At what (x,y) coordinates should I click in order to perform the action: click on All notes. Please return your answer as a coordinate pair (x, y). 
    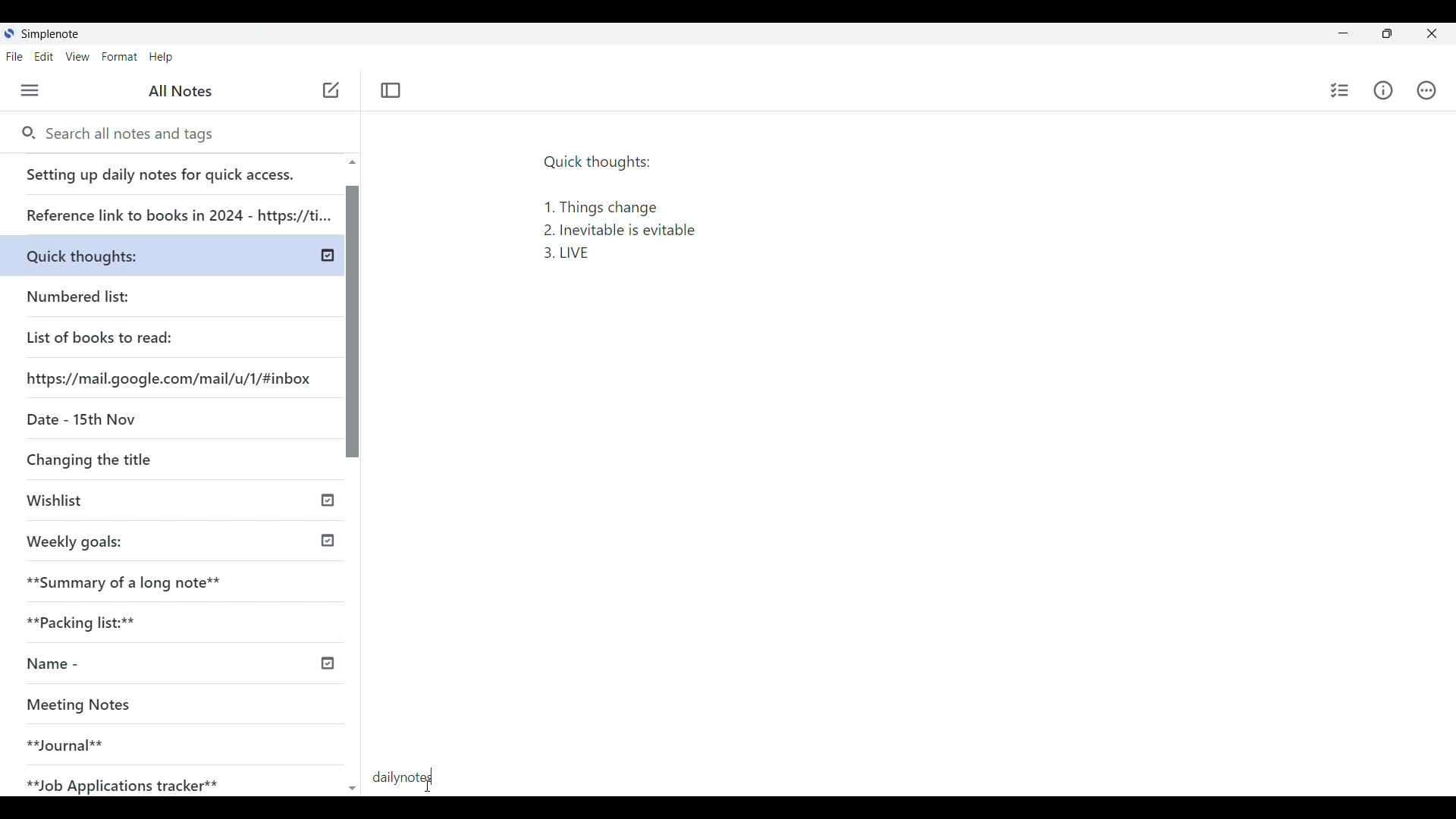
    Looking at the image, I should click on (180, 91).